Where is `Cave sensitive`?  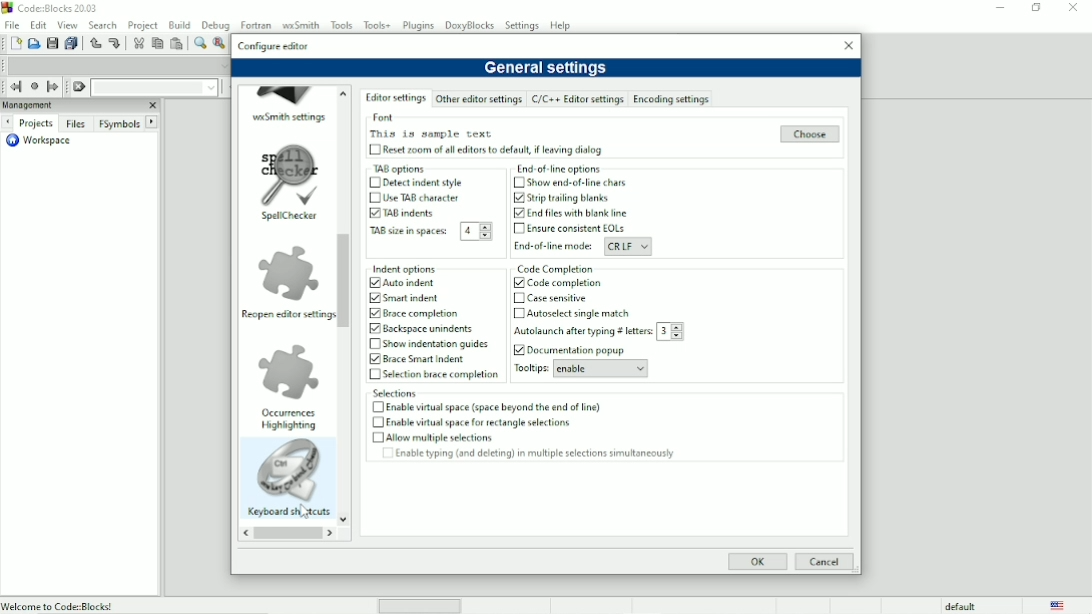
Cave sensitive is located at coordinates (558, 297).